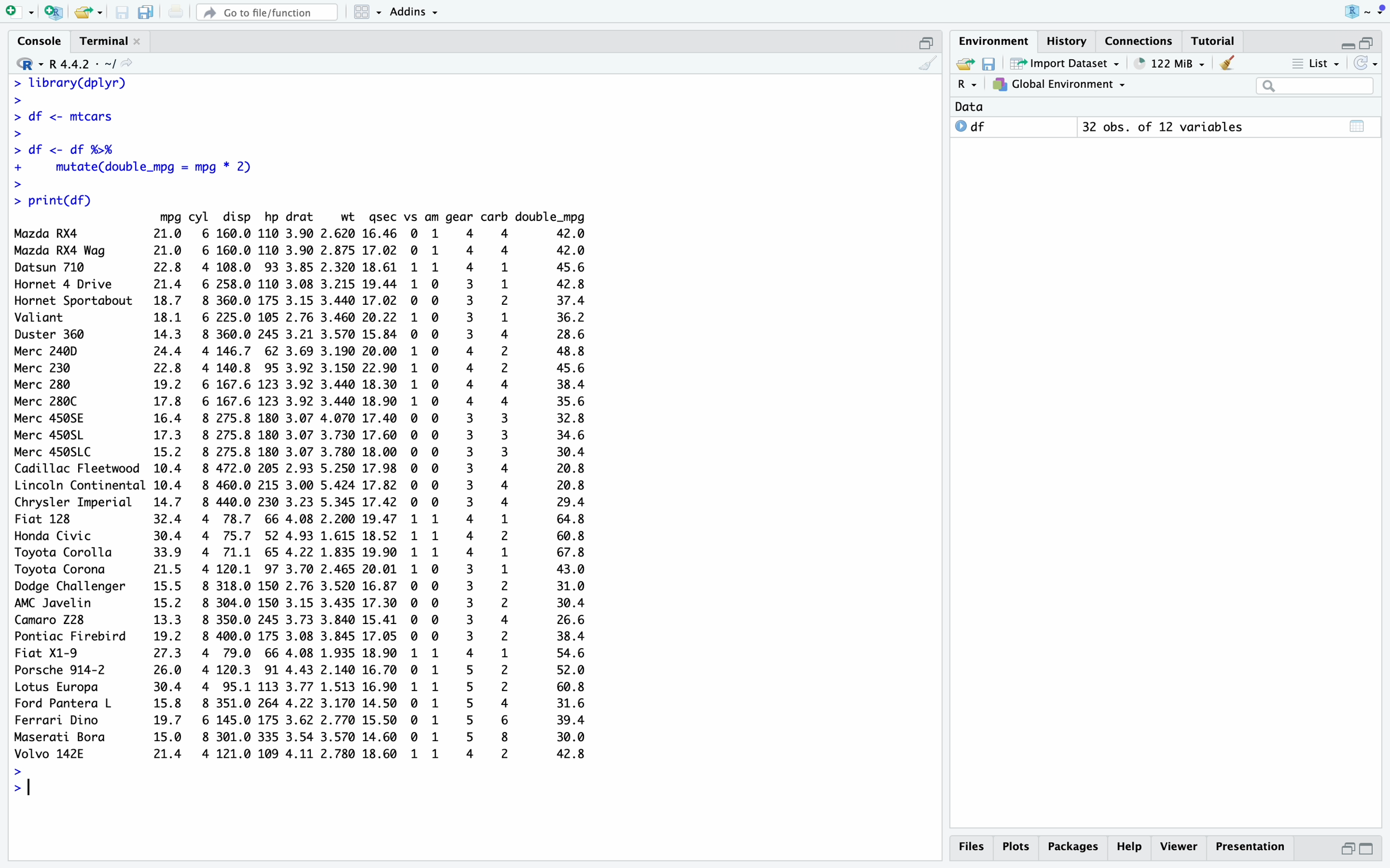 This screenshot has height=868, width=1390. What do you see at coordinates (89, 13) in the screenshot?
I see `share folder as` at bounding box center [89, 13].